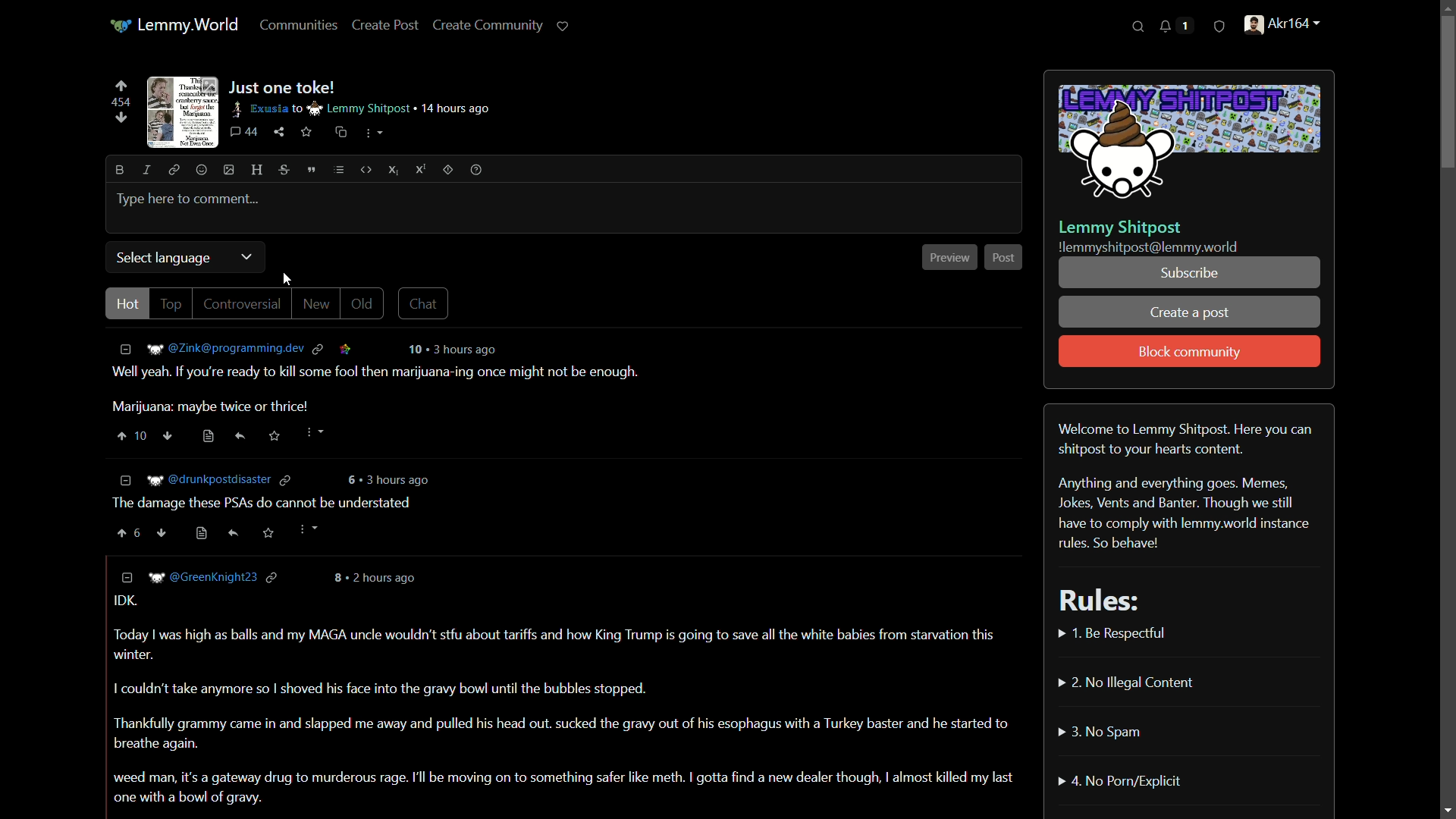  Describe the element at coordinates (1218, 27) in the screenshot. I see `security` at that location.